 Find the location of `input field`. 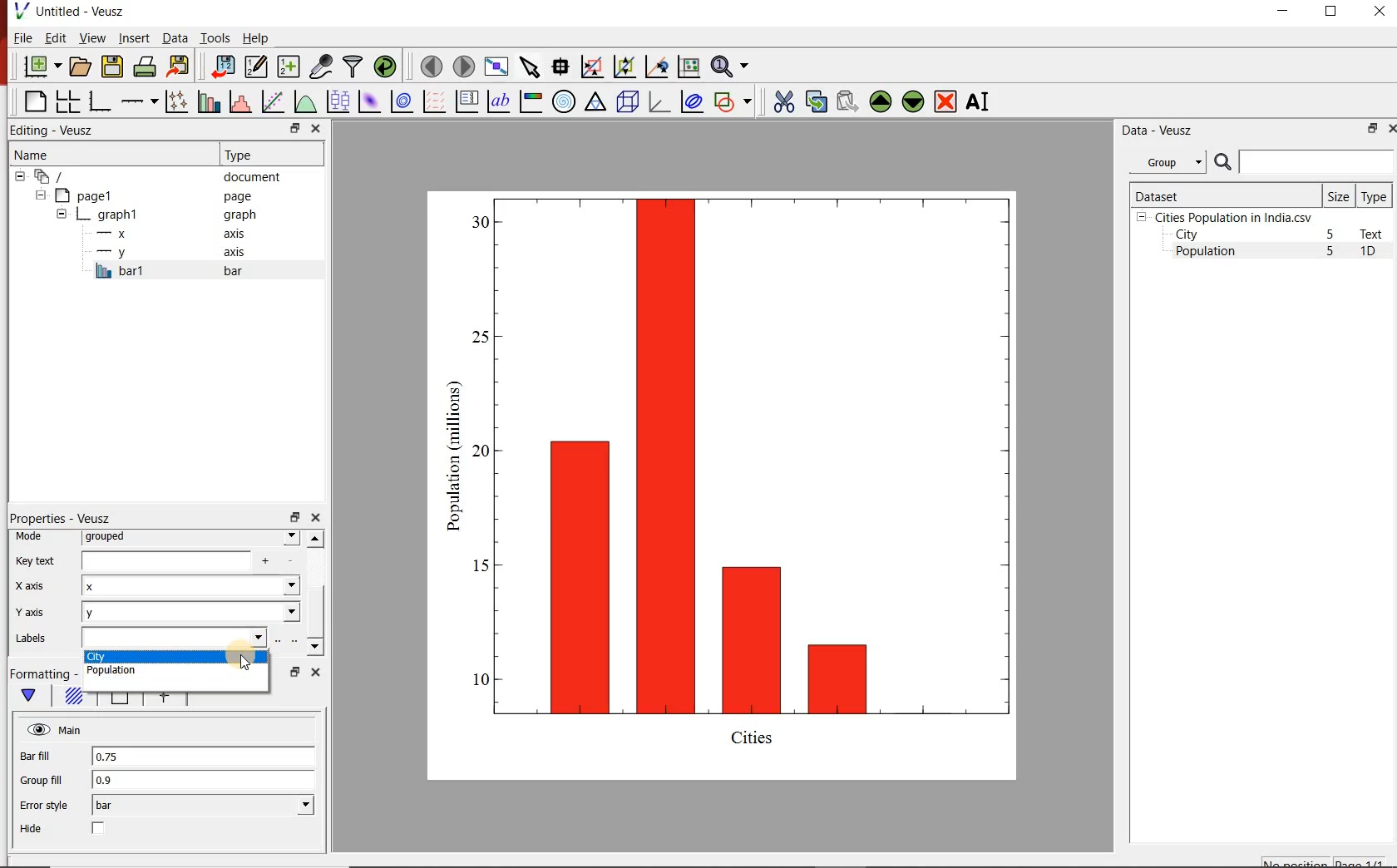

input field is located at coordinates (173, 639).